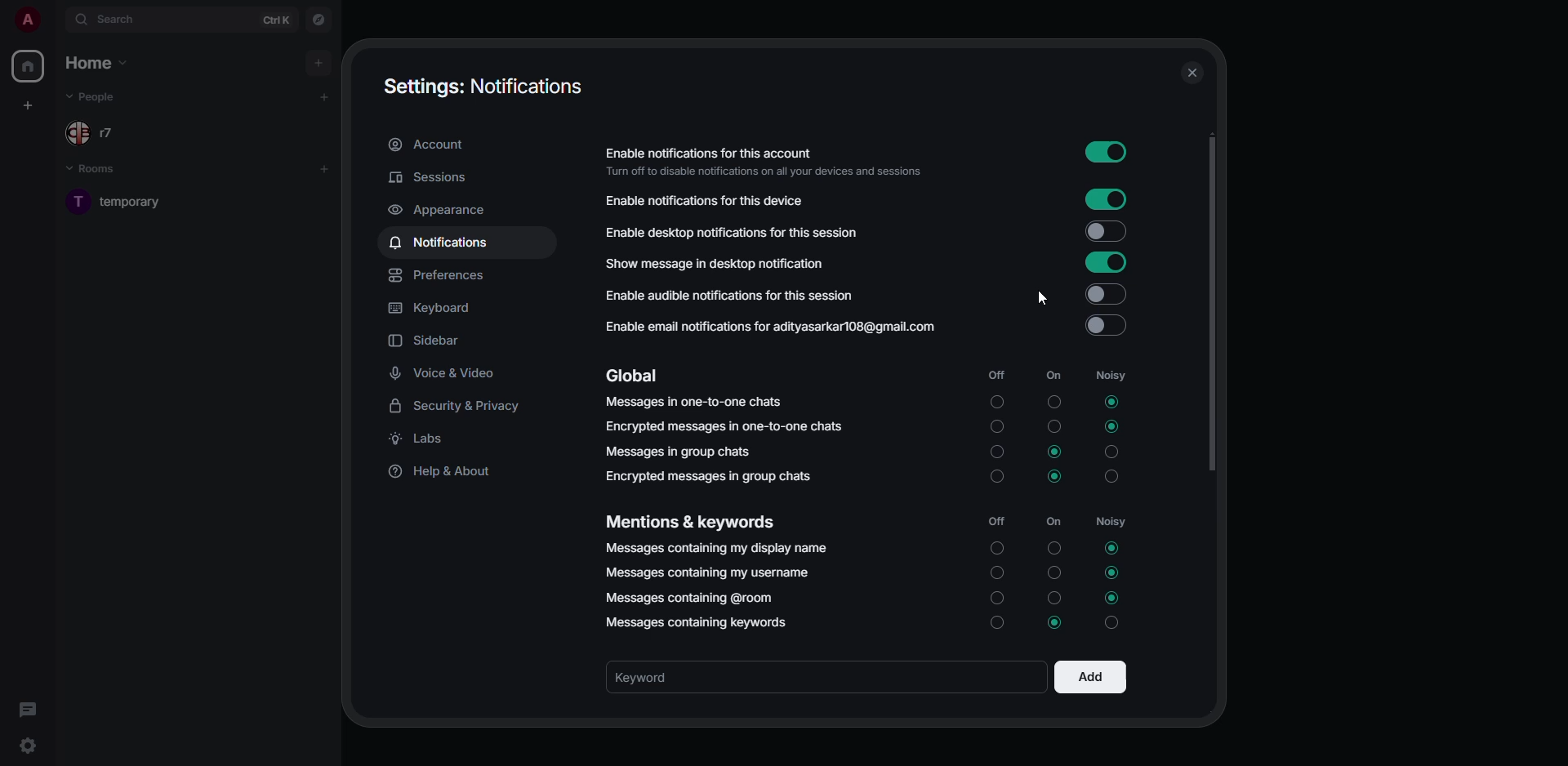  What do you see at coordinates (727, 426) in the screenshot?
I see `encrypted messages in one on one chats` at bounding box center [727, 426].